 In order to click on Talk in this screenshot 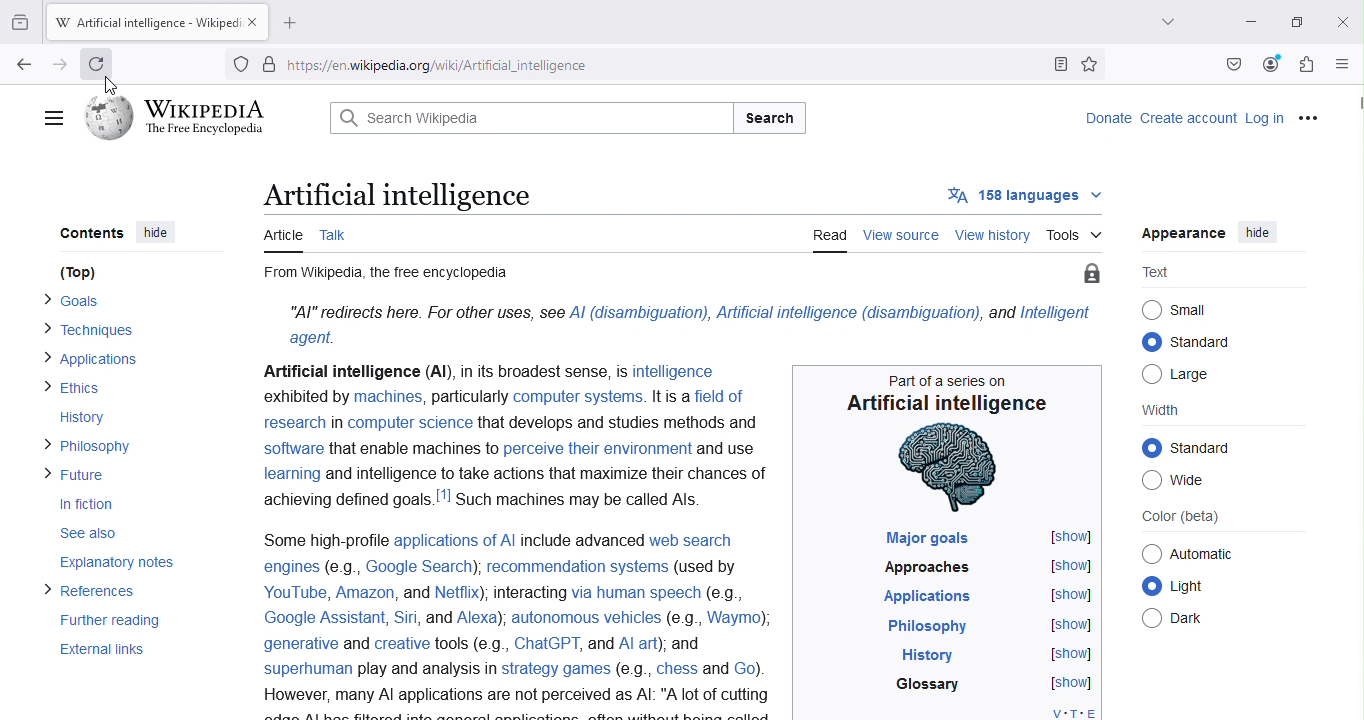, I will do `click(336, 239)`.